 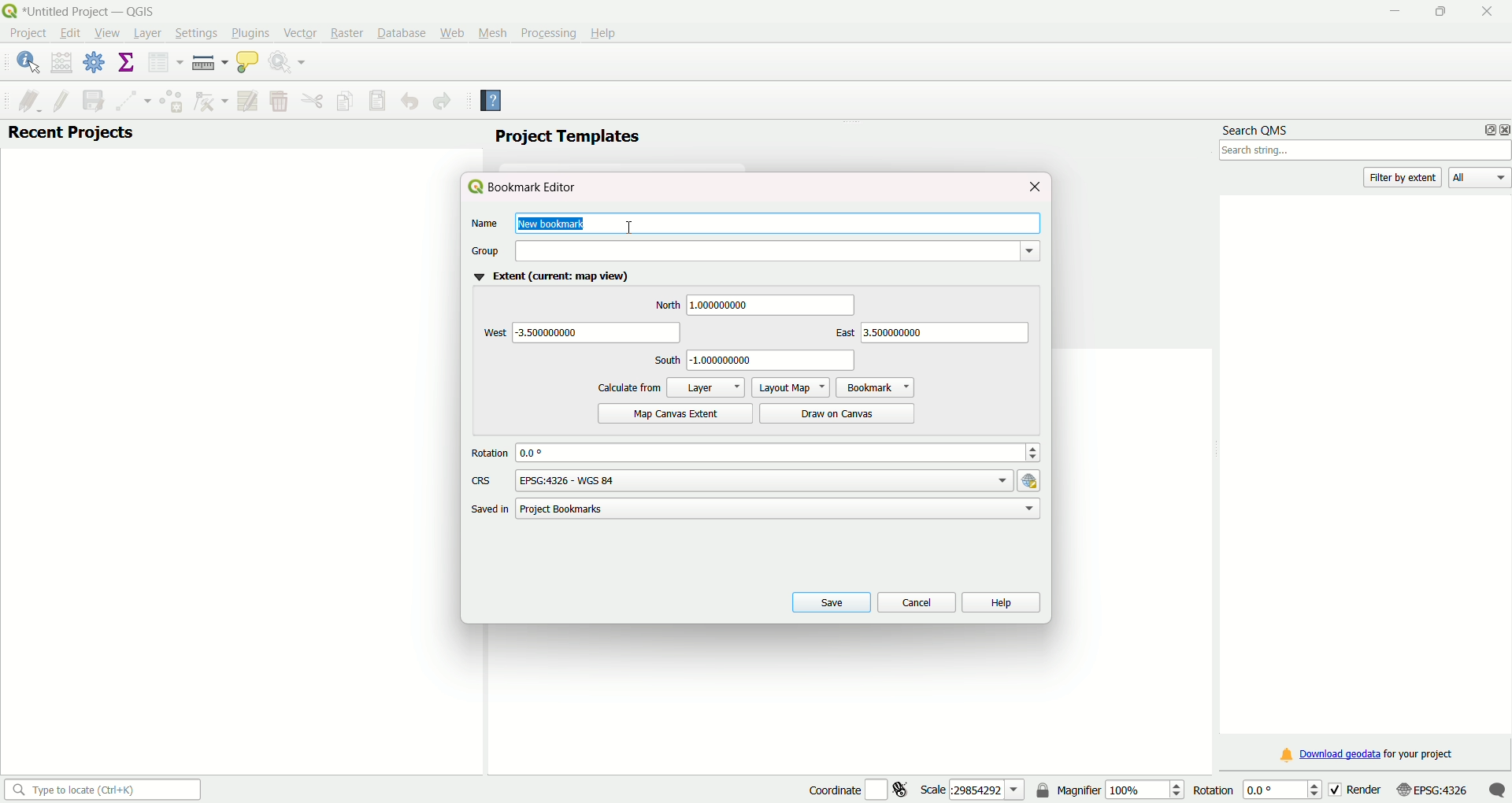 I want to click on toggle extents, so click(x=903, y=789).